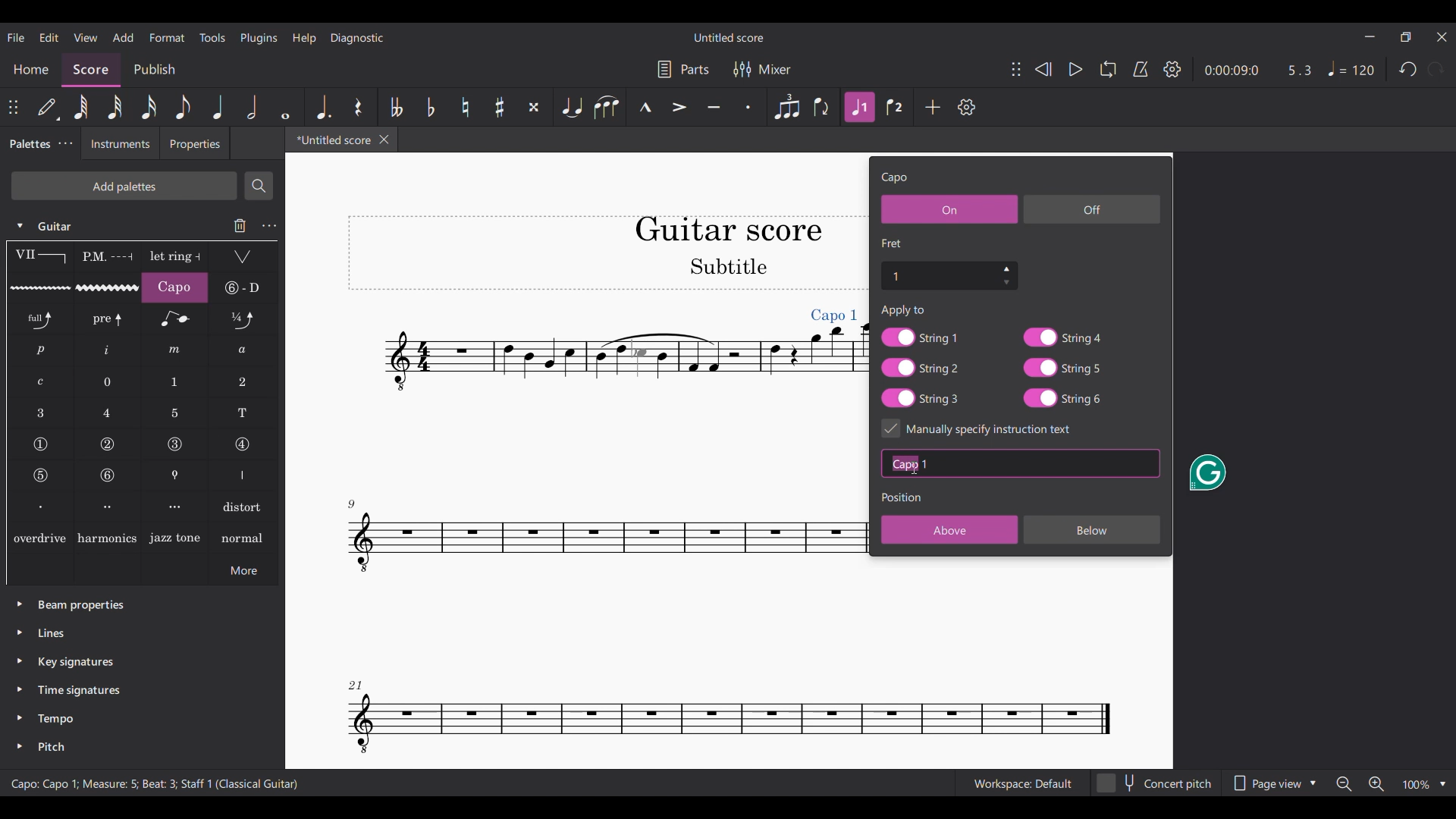  What do you see at coordinates (949, 209) in the screenshot?
I see `On` at bounding box center [949, 209].